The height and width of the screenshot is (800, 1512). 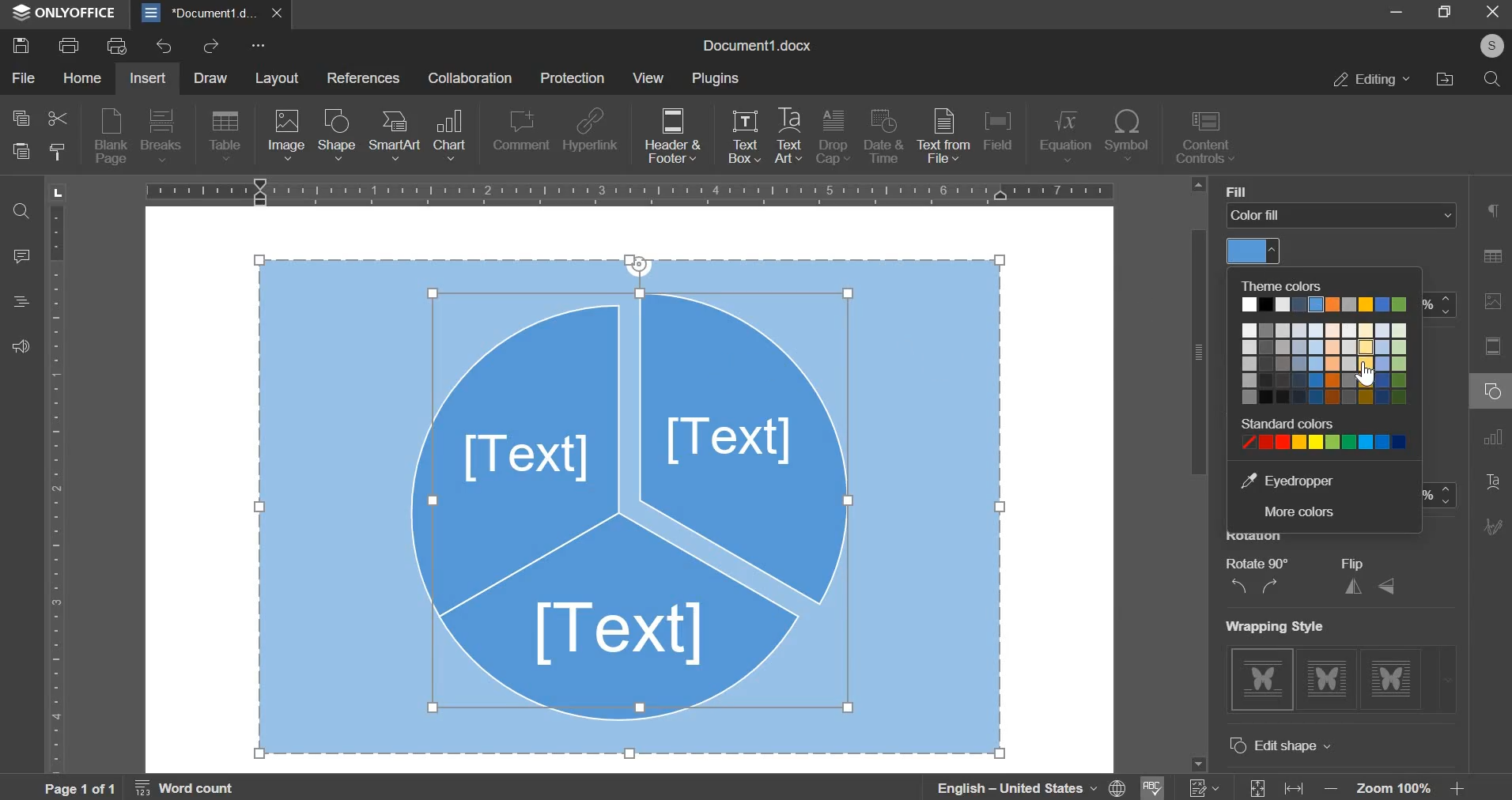 What do you see at coordinates (21, 121) in the screenshot?
I see `copy` at bounding box center [21, 121].